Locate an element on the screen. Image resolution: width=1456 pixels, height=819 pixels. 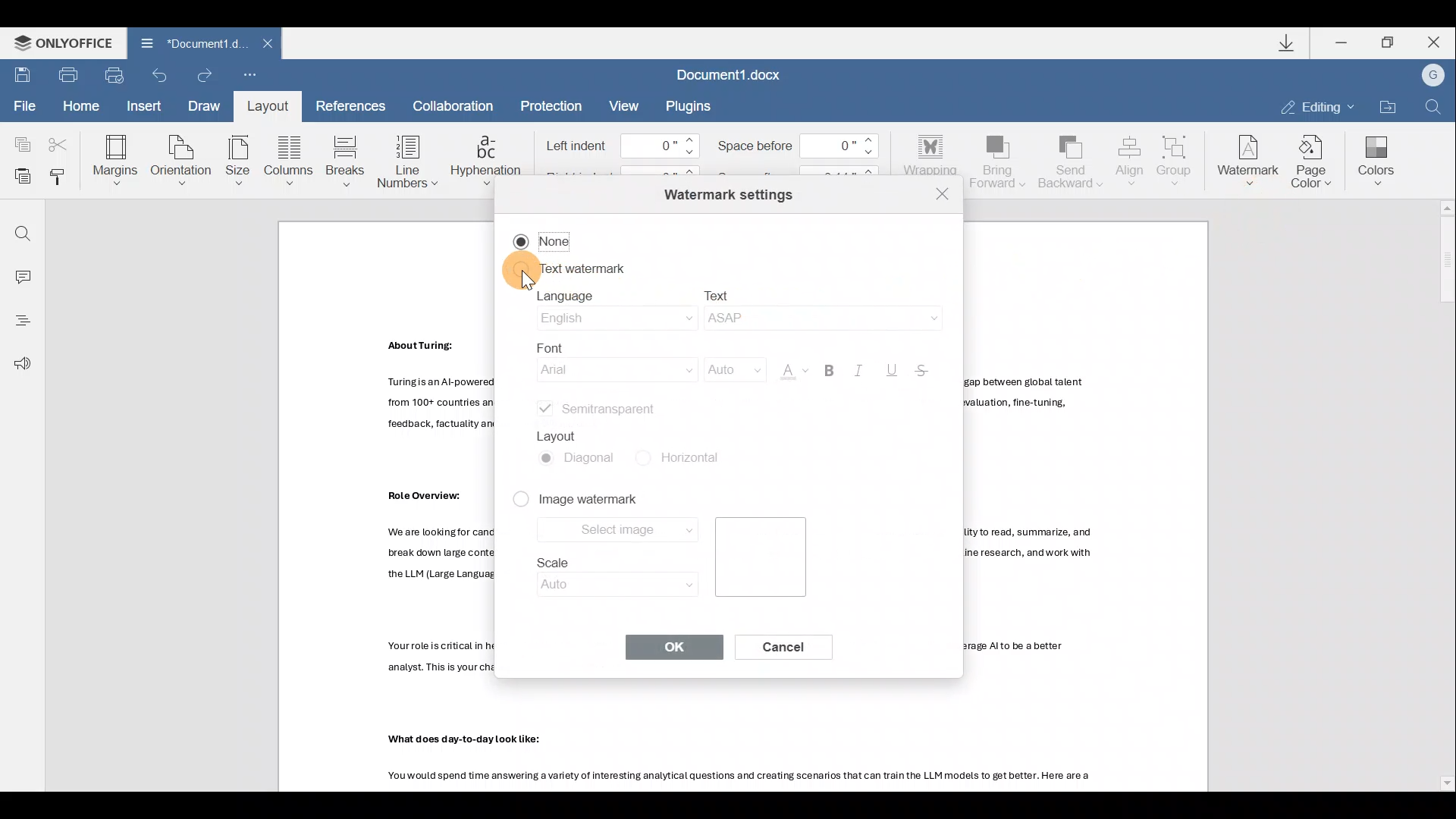
Close is located at coordinates (943, 193).